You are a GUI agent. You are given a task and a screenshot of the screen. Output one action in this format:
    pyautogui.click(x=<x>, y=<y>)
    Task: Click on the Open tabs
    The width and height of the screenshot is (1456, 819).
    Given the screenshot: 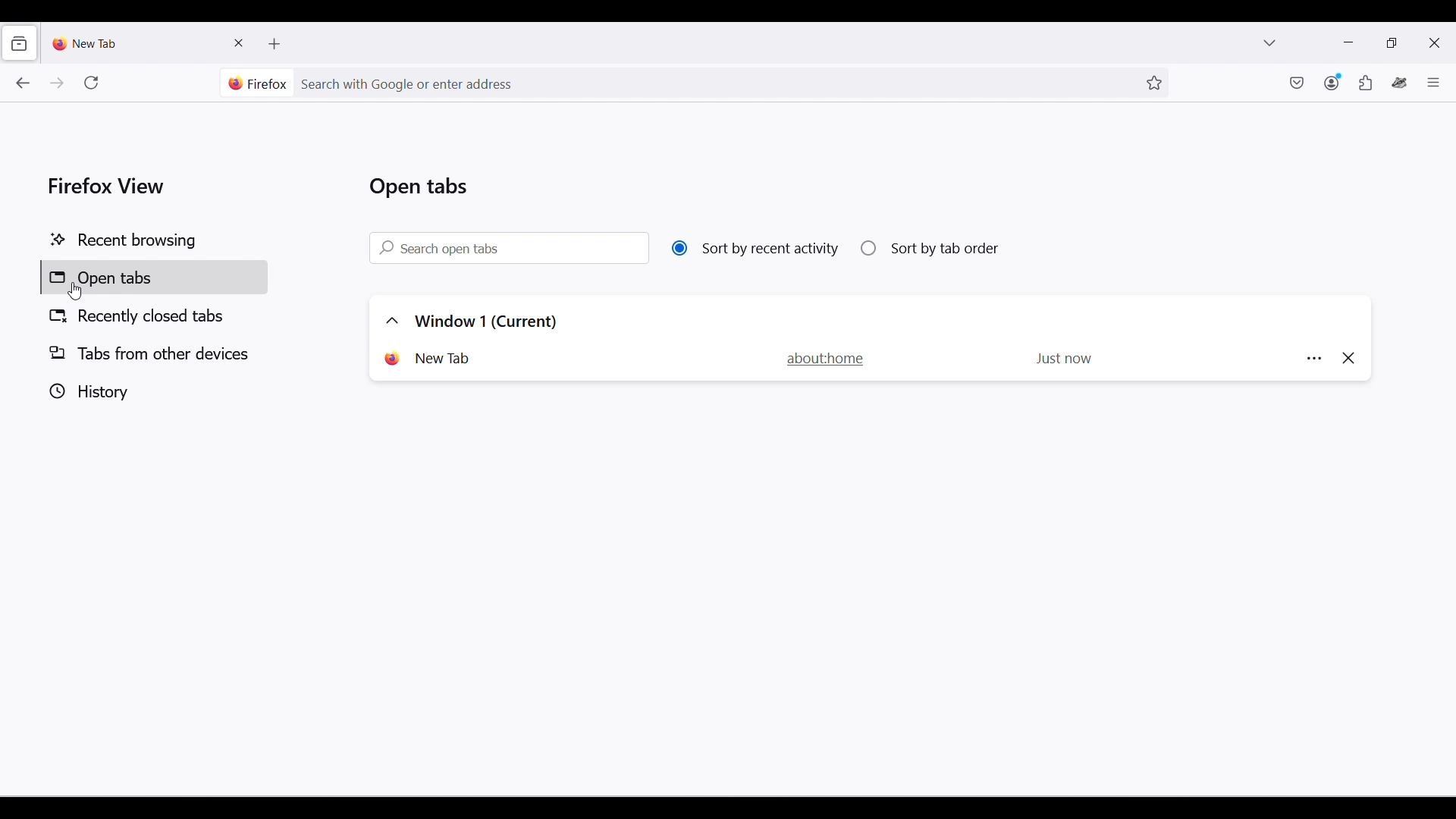 What is the action you would take?
    pyautogui.click(x=154, y=277)
    